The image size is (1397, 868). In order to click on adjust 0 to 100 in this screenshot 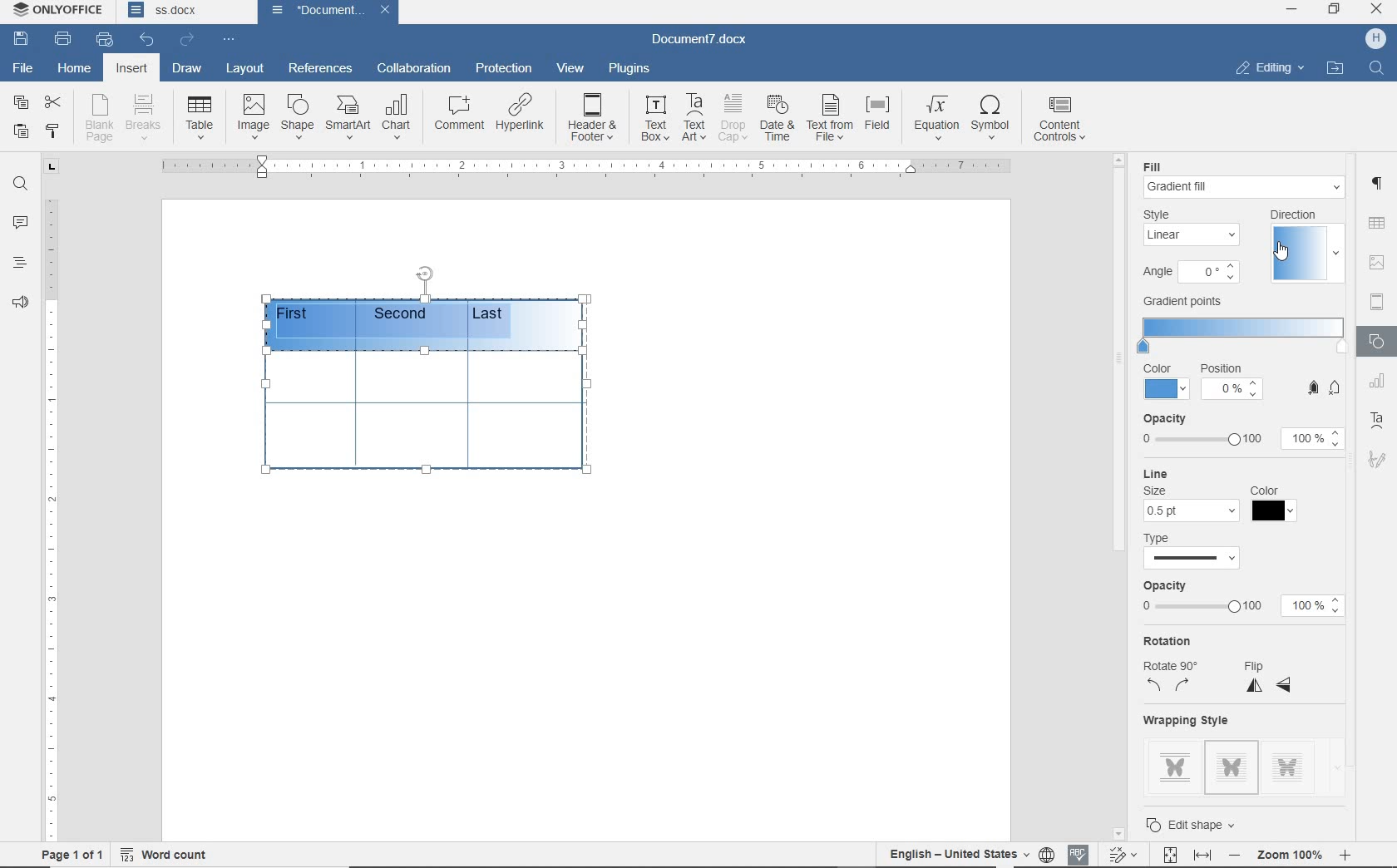, I will do `click(1205, 609)`.